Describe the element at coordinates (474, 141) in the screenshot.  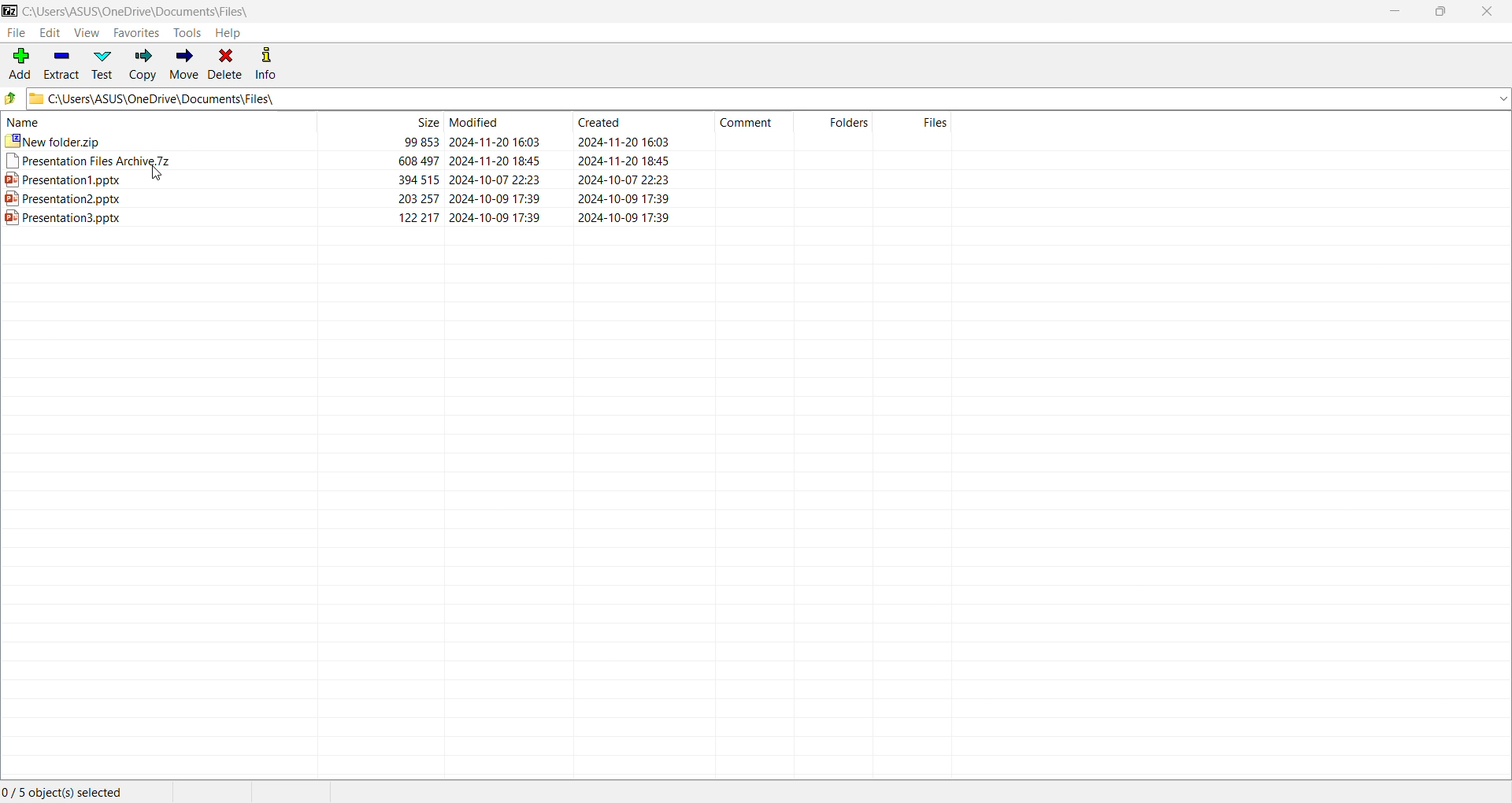
I see `new folder` at that location.